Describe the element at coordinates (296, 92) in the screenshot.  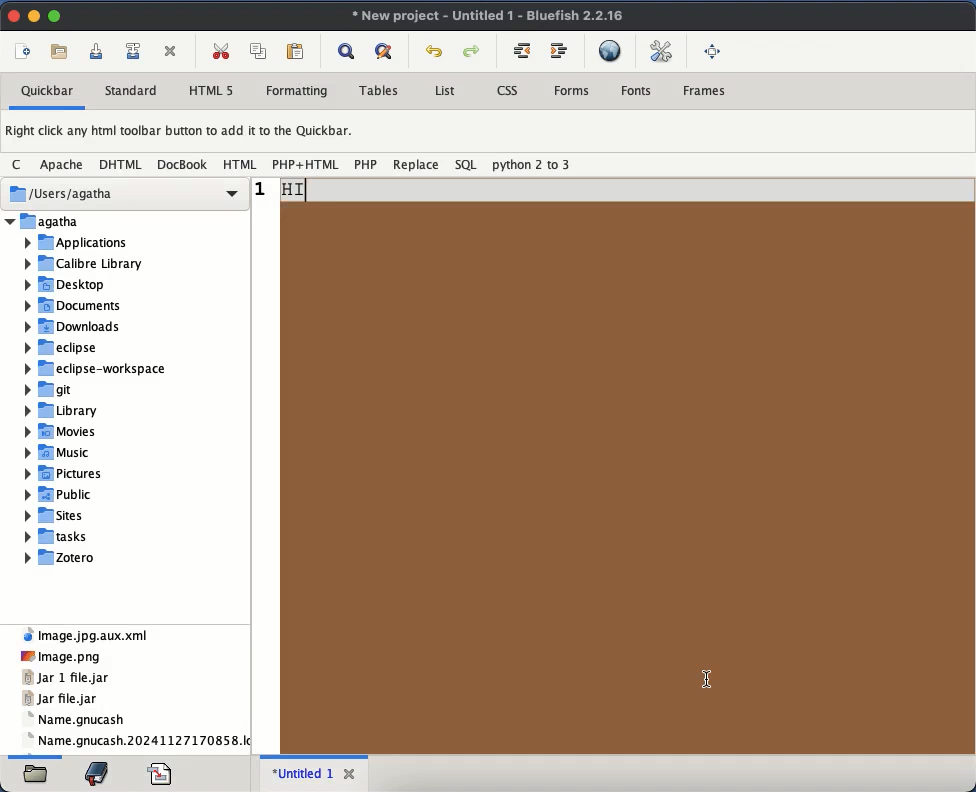
I see `formatting` at that location.